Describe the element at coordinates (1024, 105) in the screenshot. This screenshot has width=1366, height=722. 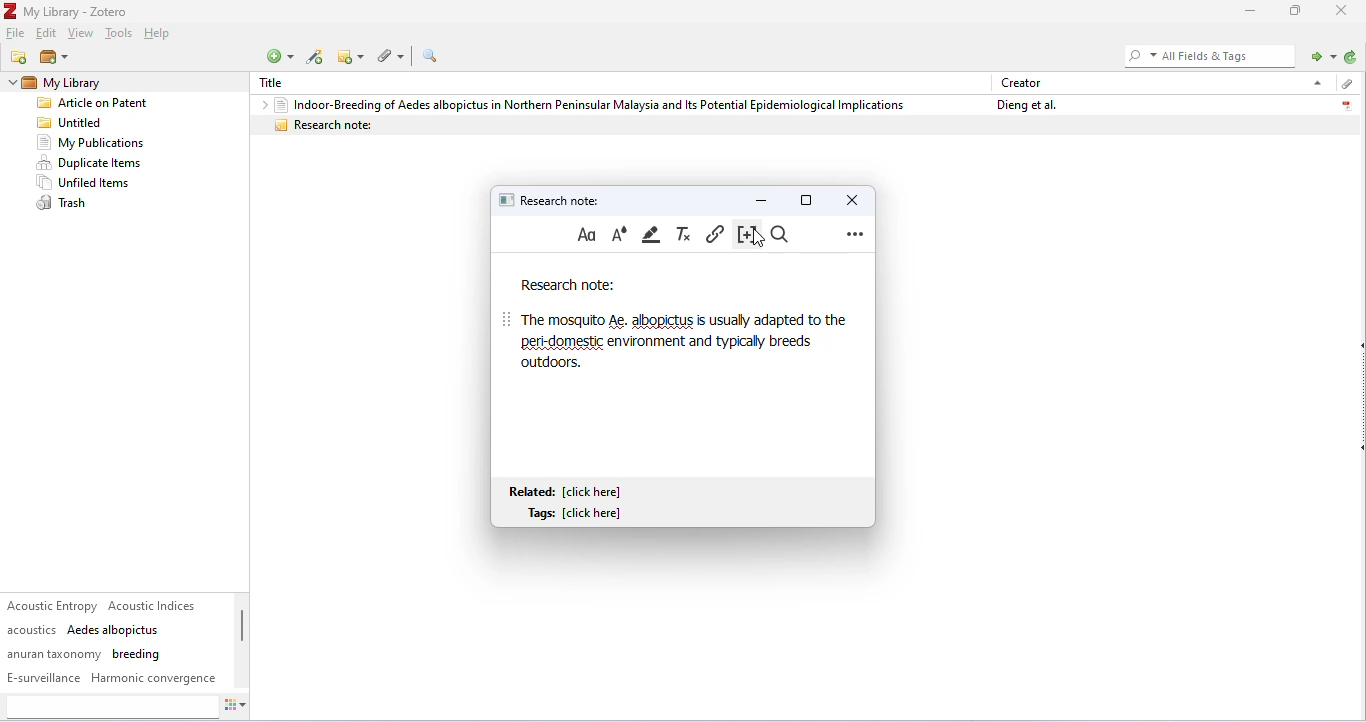
I see `dieng et al.` at that location.